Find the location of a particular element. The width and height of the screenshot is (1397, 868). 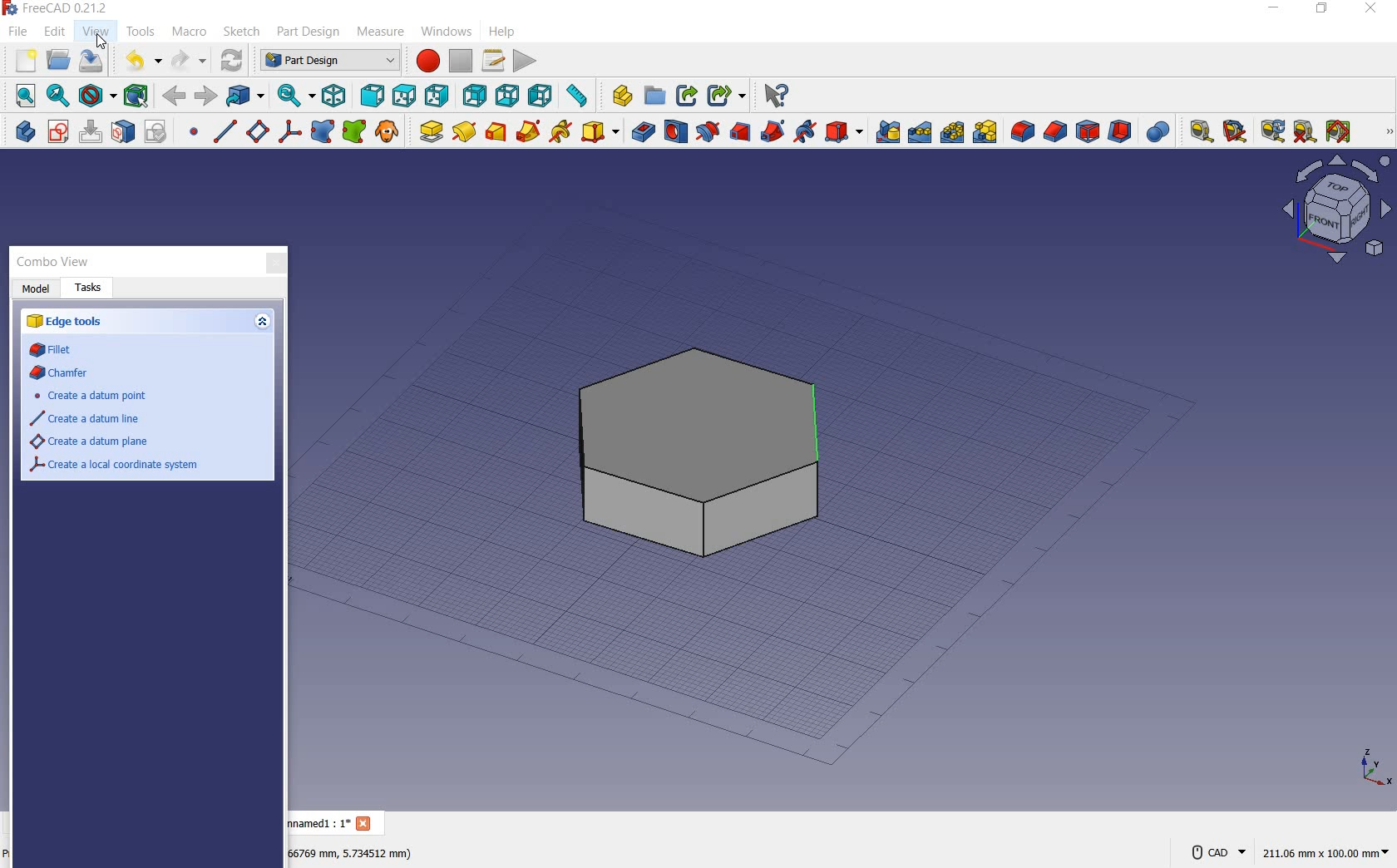

macro recording is located at coordinates (425, 62).